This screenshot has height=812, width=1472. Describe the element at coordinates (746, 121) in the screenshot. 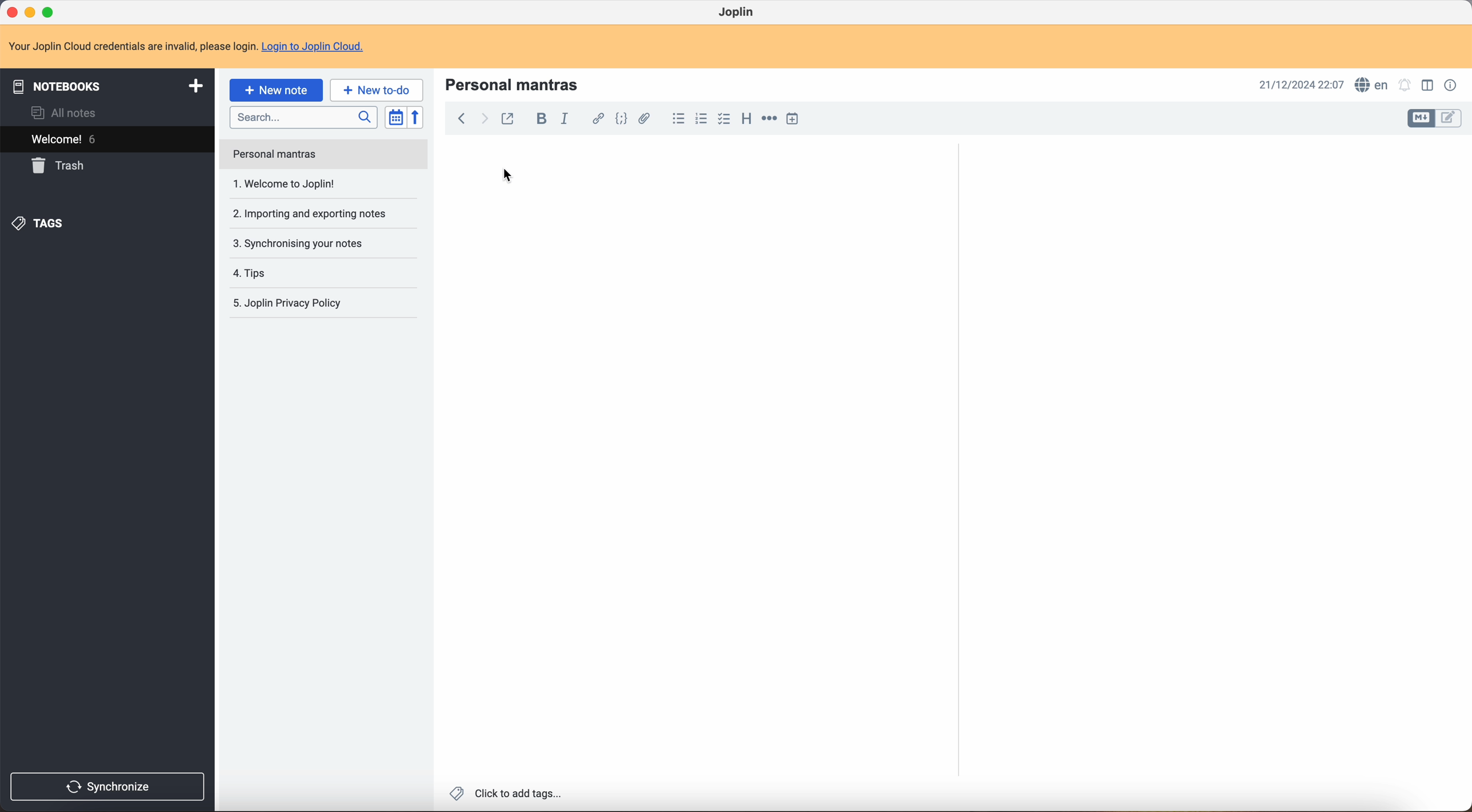

I see `heading` at that location.